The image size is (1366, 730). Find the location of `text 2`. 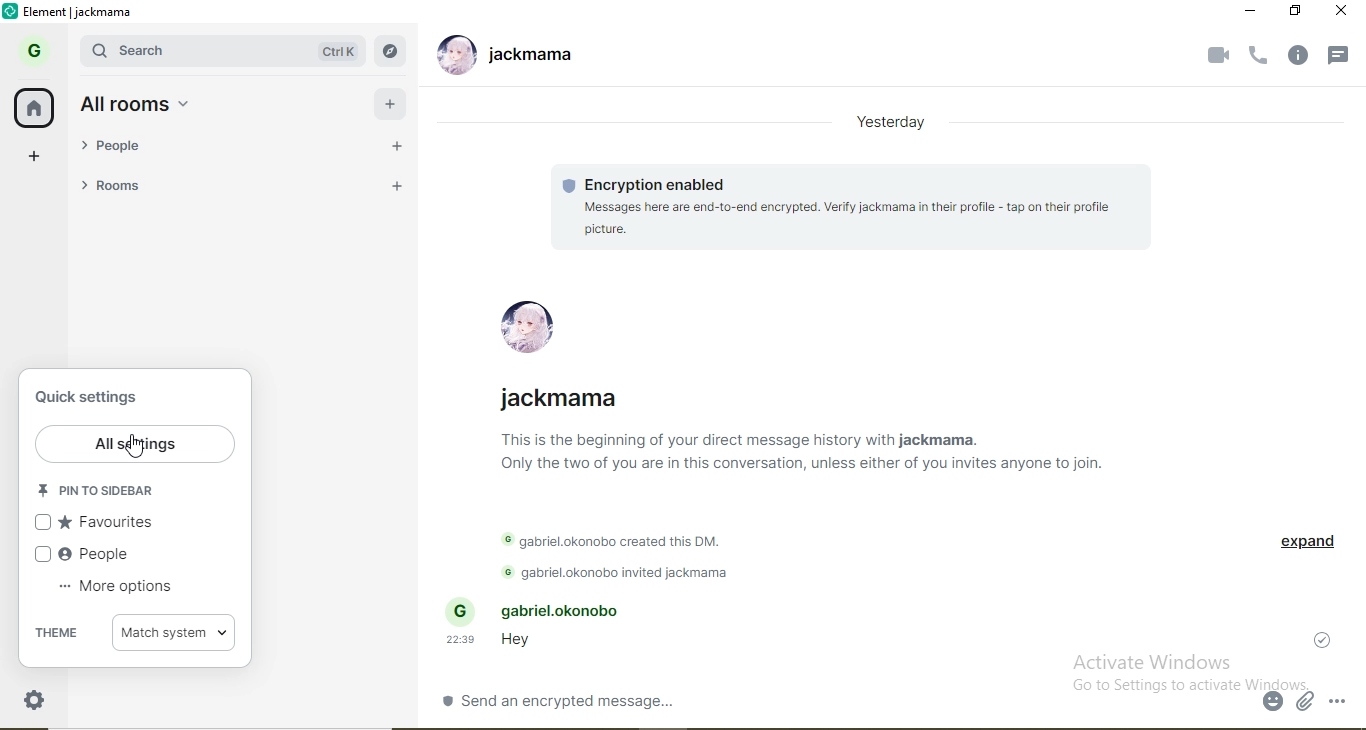

text 2 is located at coordinates (623, 535).